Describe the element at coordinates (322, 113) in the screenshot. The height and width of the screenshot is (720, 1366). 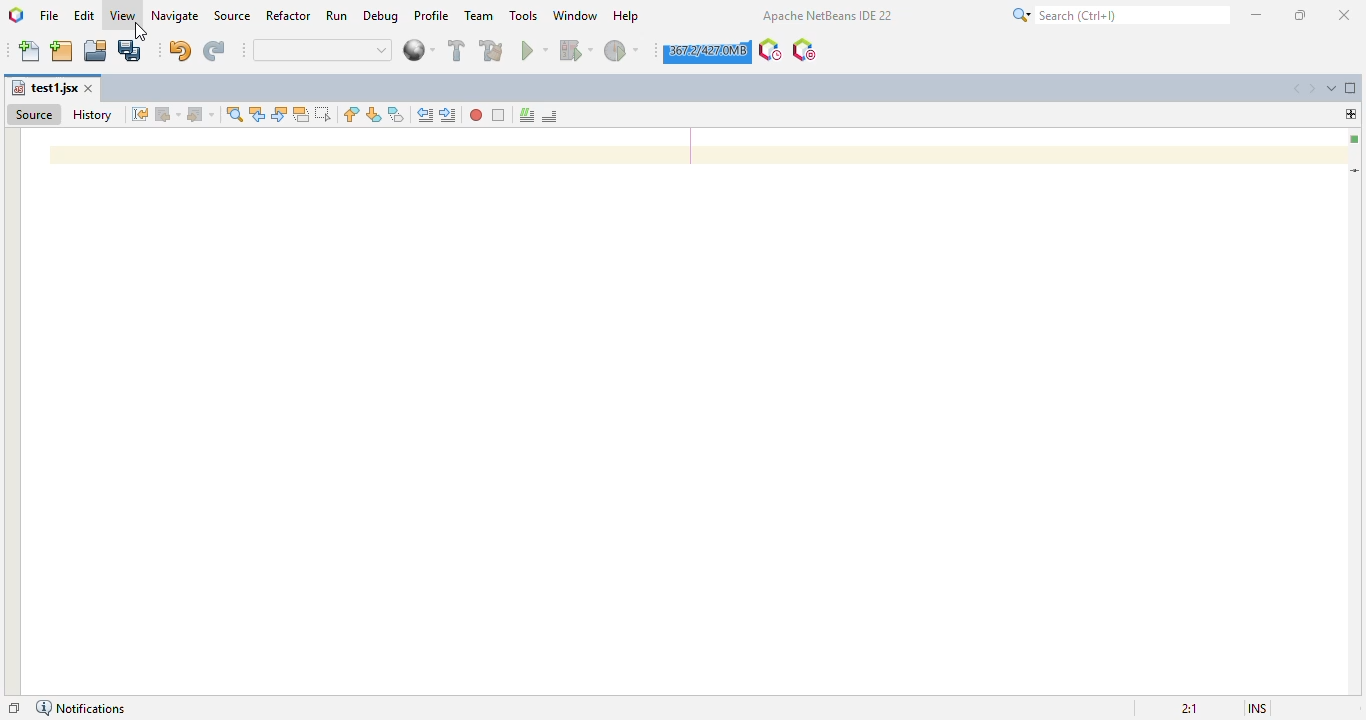
I see `toggle rectangular selection` at that location.